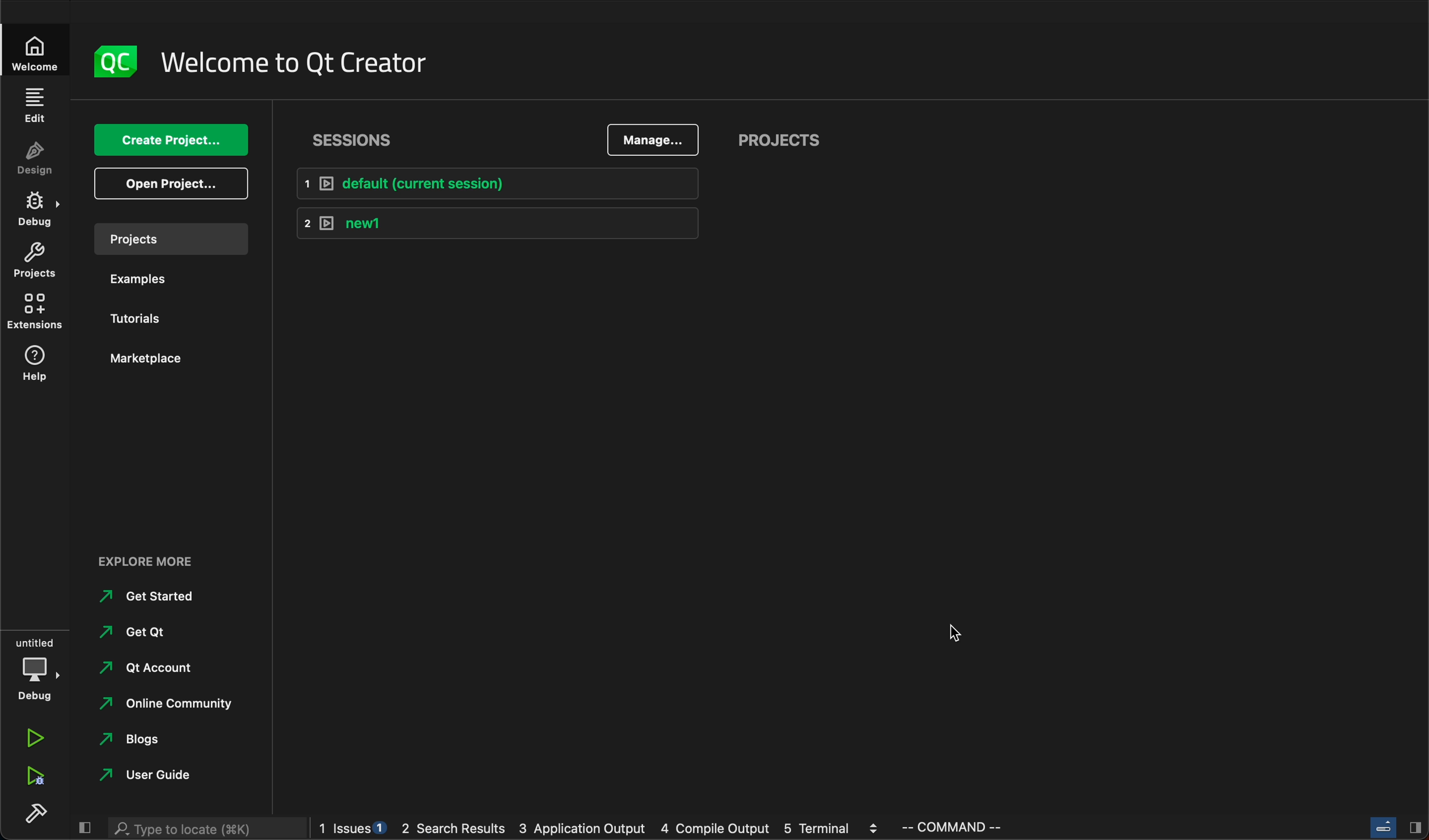 This screenshot has width=1429, height=840. I want to click on build, so click(35, 813).